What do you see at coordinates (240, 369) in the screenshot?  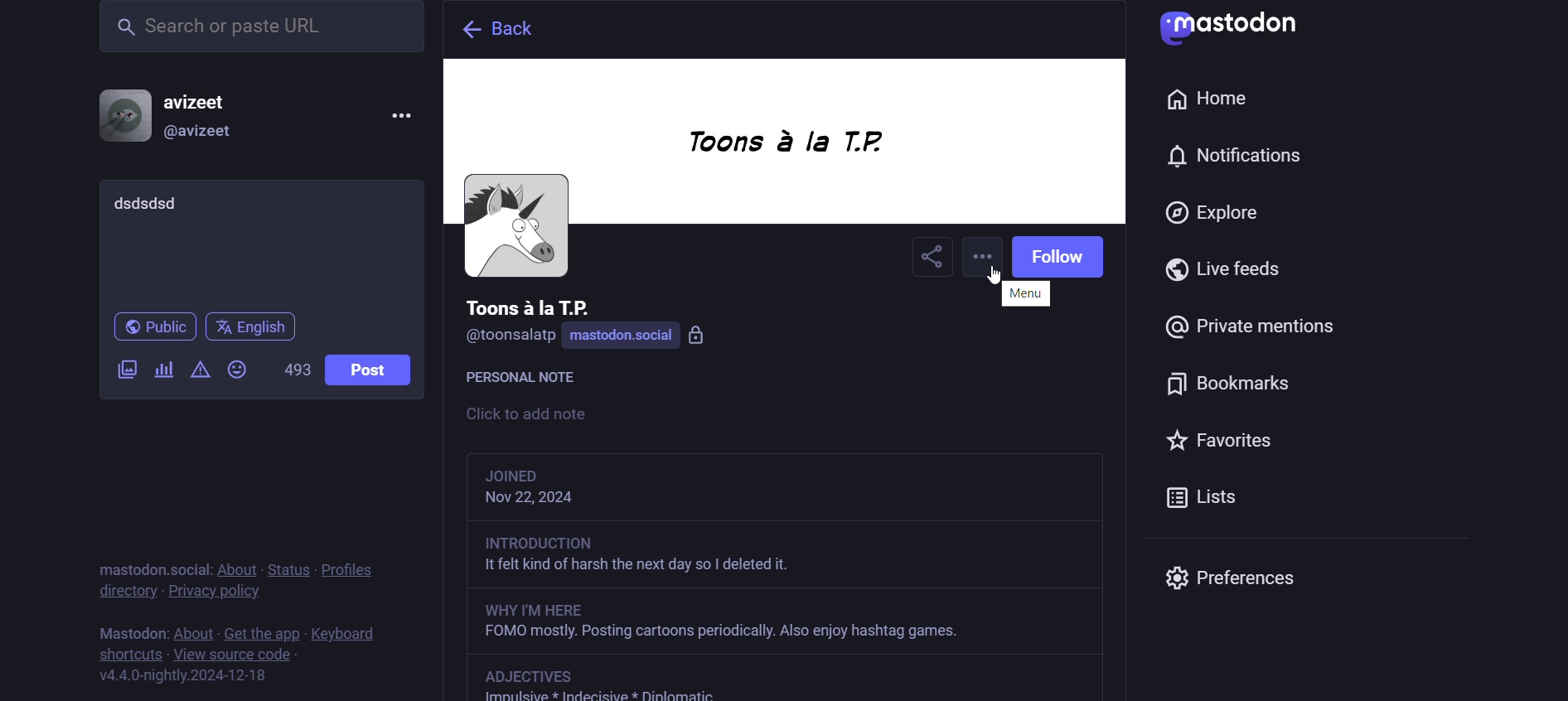 I see `add emoji` at bounding box center [240, 369].